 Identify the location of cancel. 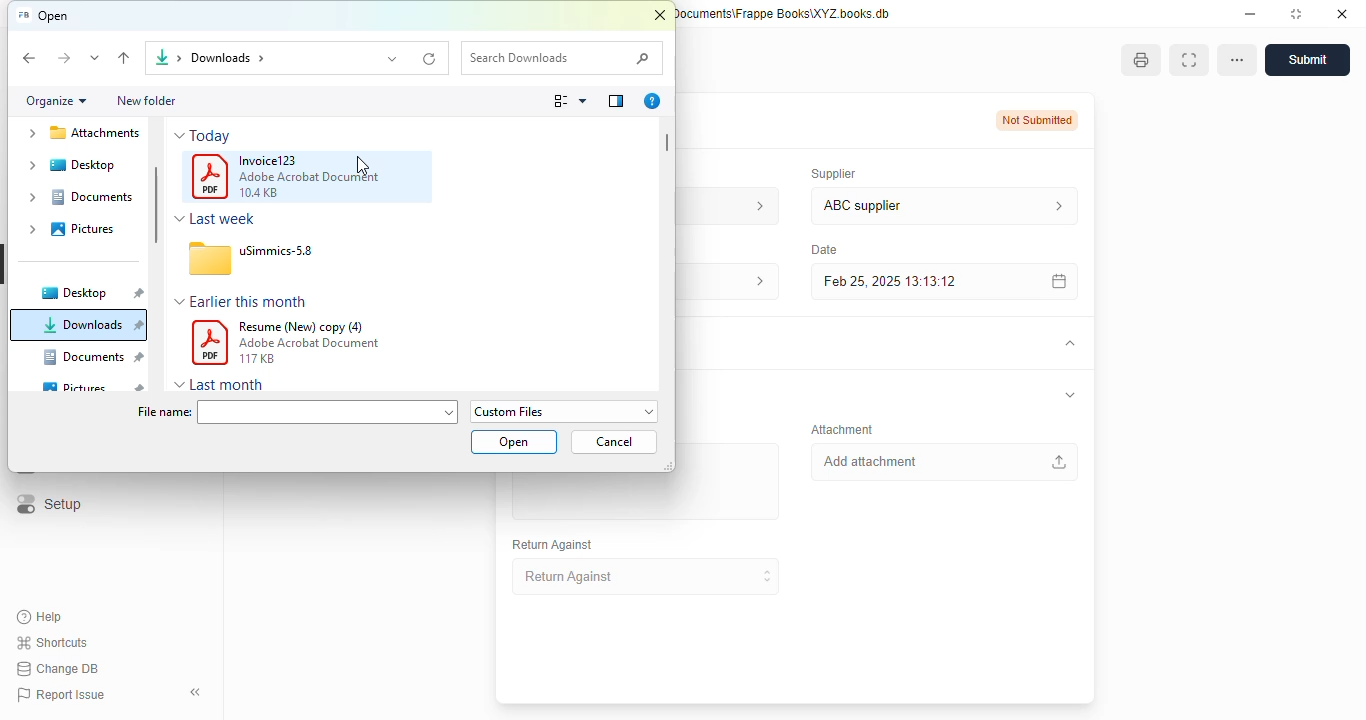
(614, 441).